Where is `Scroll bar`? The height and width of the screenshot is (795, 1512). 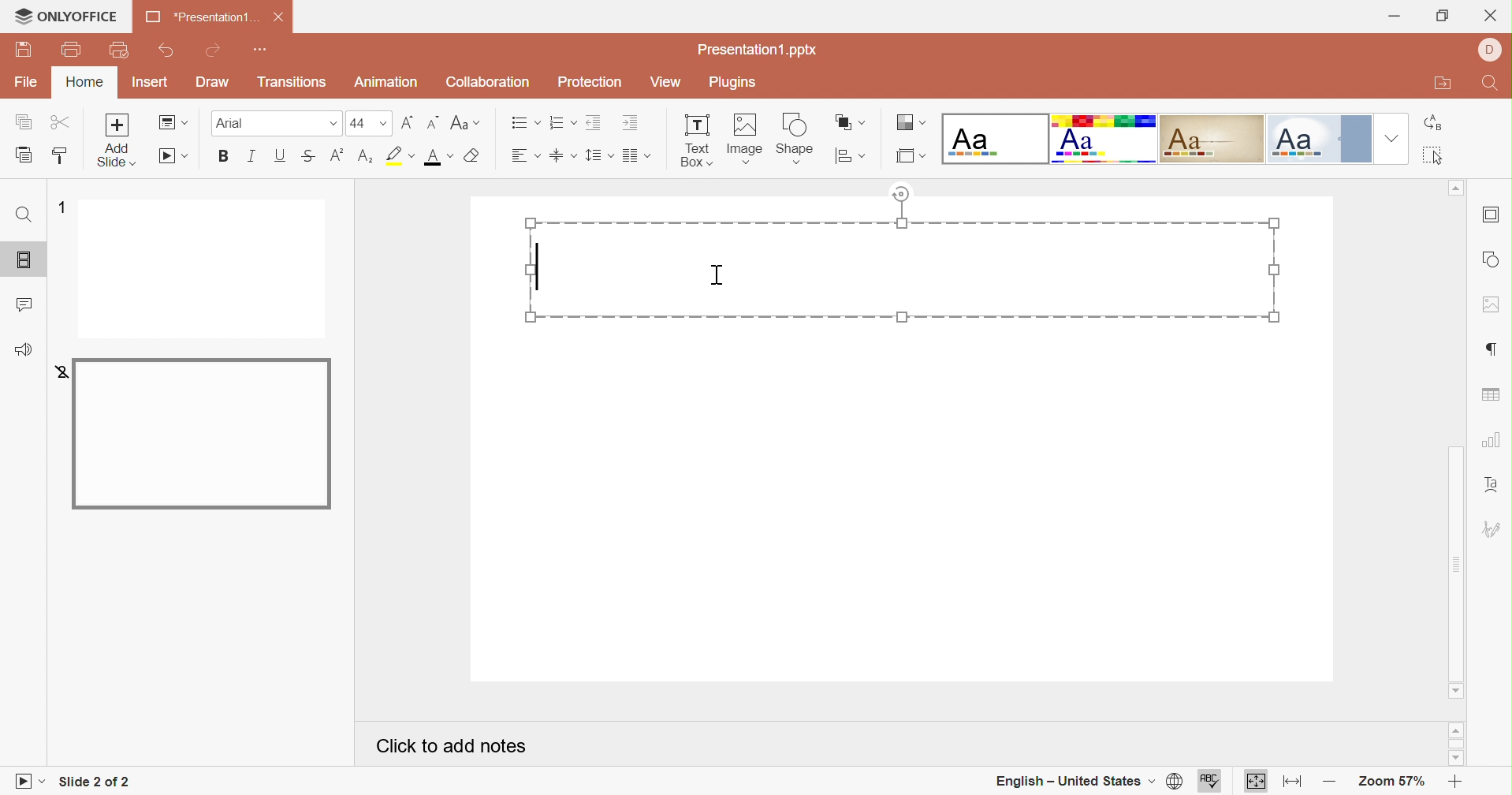
Scroll bar is located at coordinates (1455, 744).